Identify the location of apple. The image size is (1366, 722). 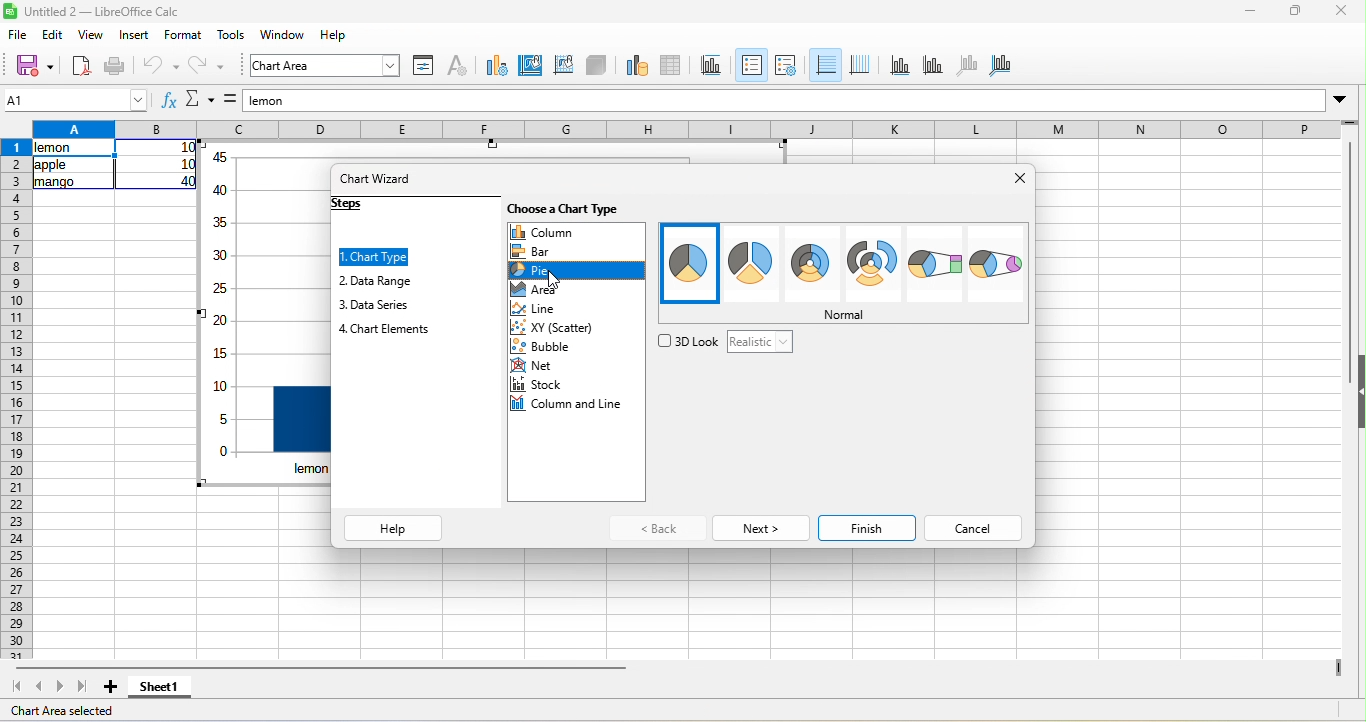
(52, 166).